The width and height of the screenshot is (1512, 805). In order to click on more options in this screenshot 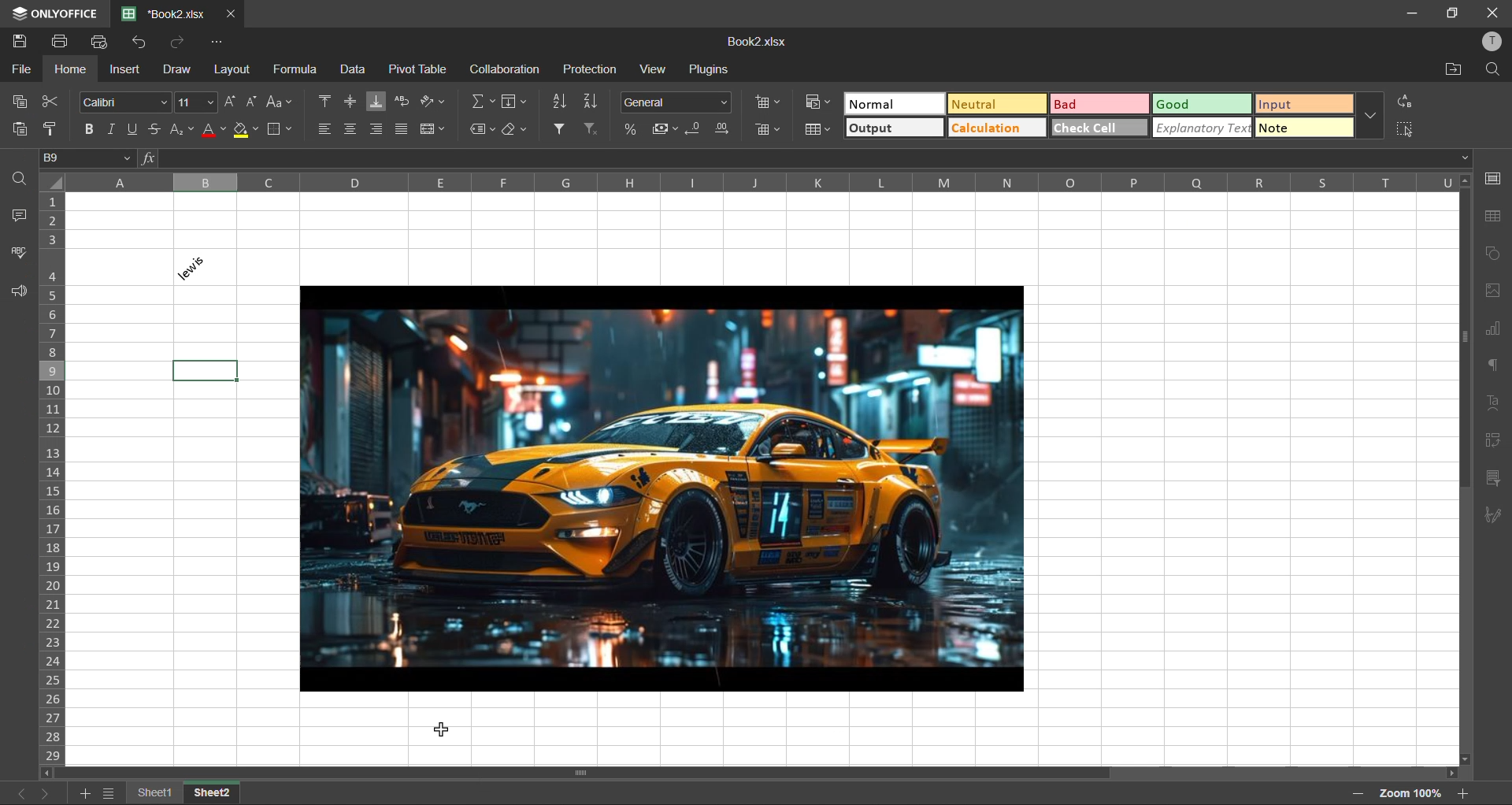, I will do `click(1371, 117)`.